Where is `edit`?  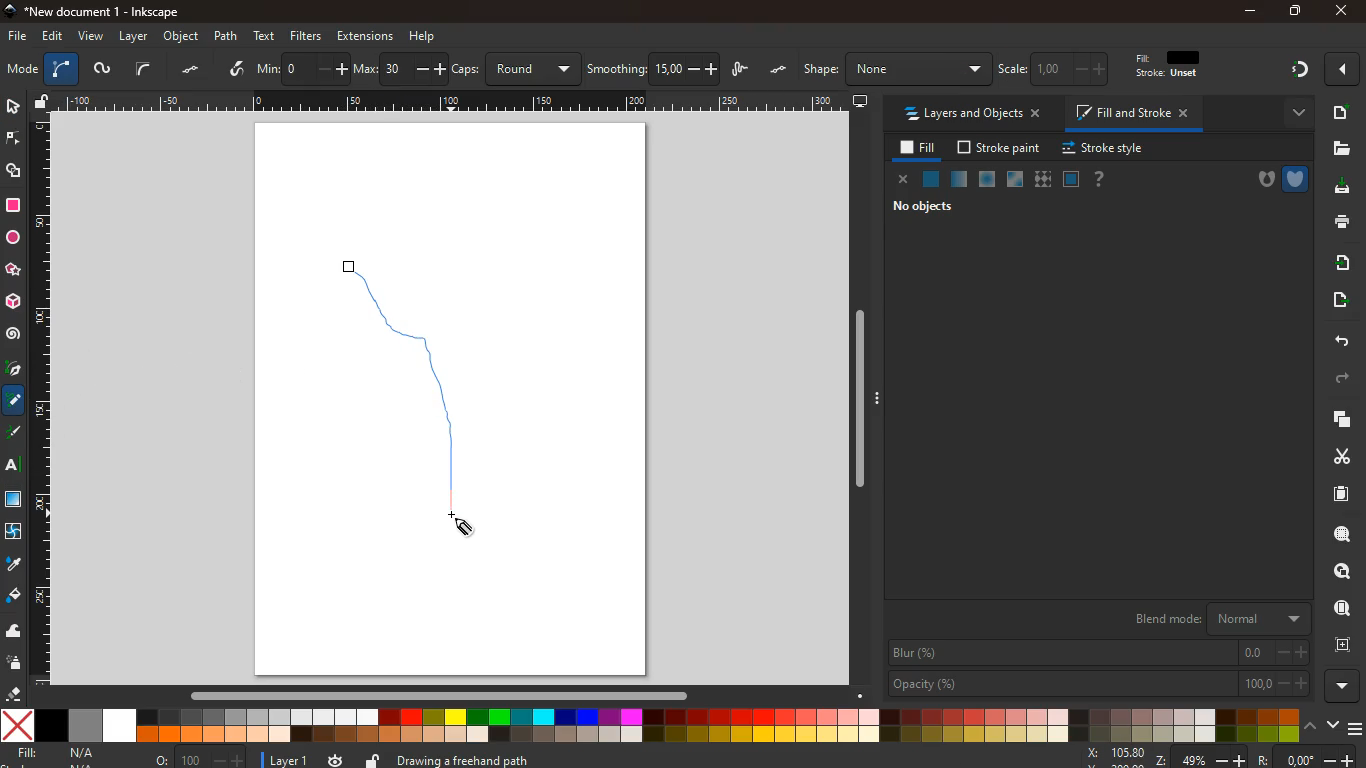
edit is located at coordinates (1163, 69).